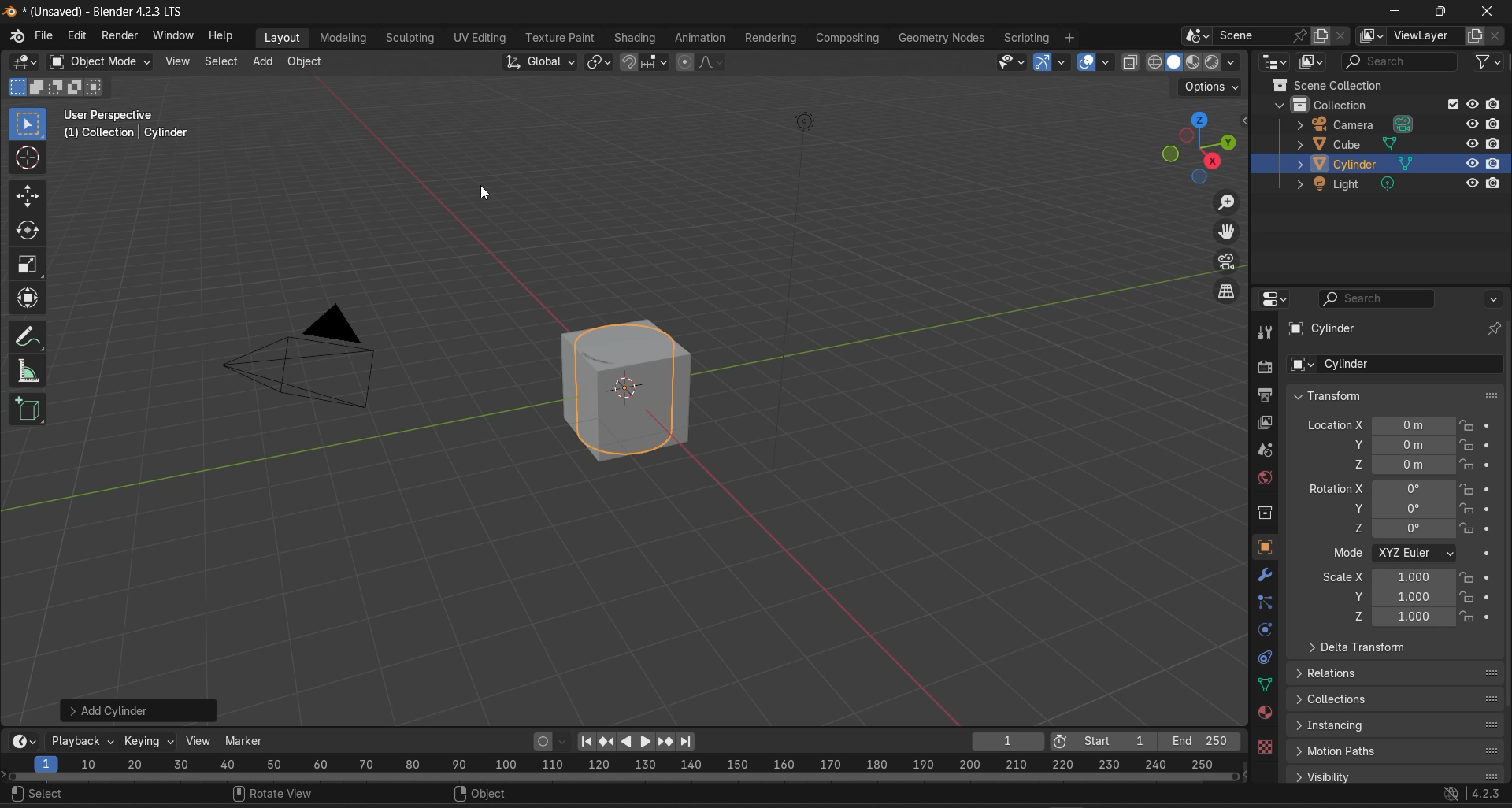 The width and height of the screenshot is (1512, 808). I want to click on scale x, so click(1388, 577).